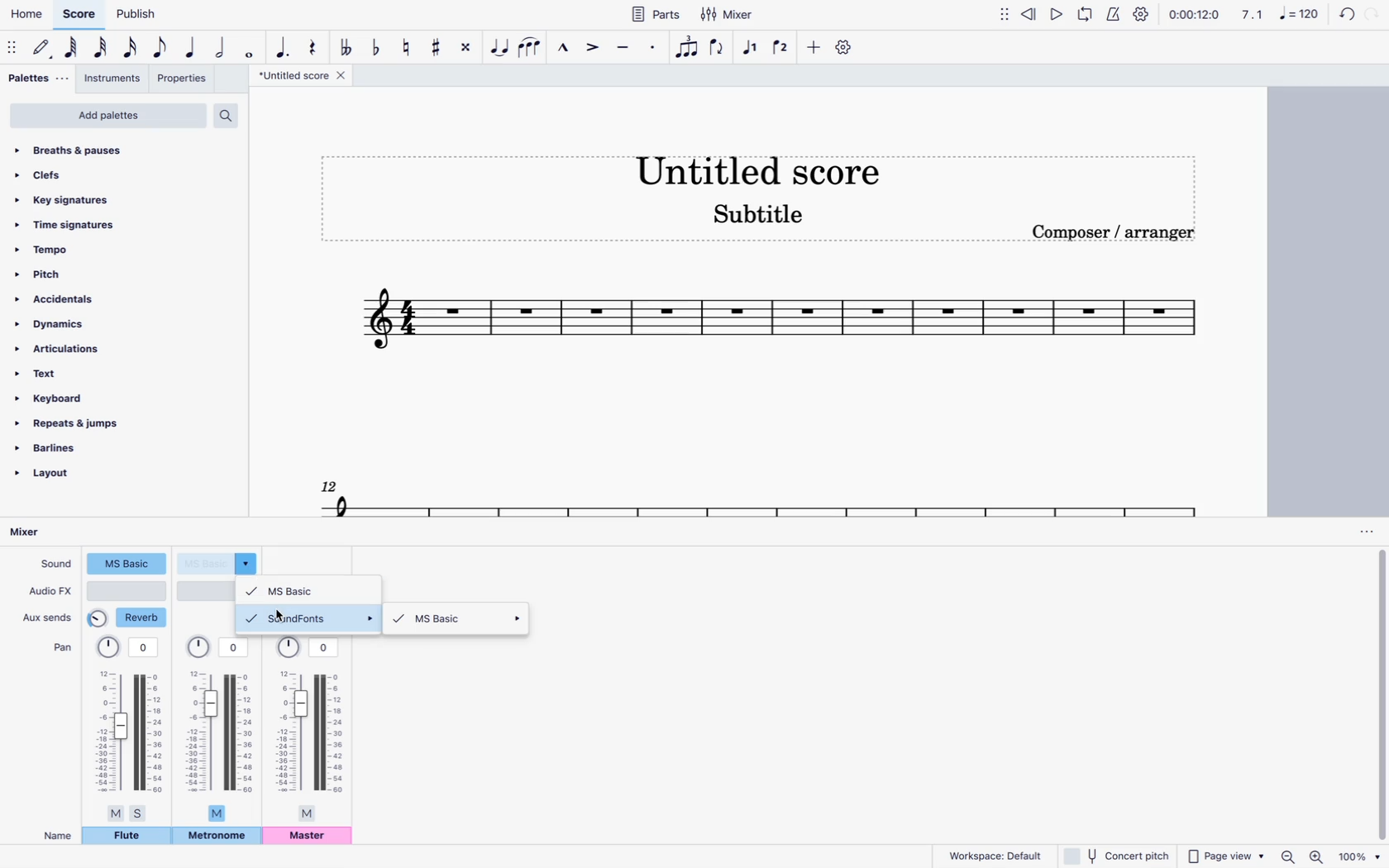 The image size is (1389, 868). Describe the element at coordinates (311, 838) in the screenshot. I see `master` at that location.